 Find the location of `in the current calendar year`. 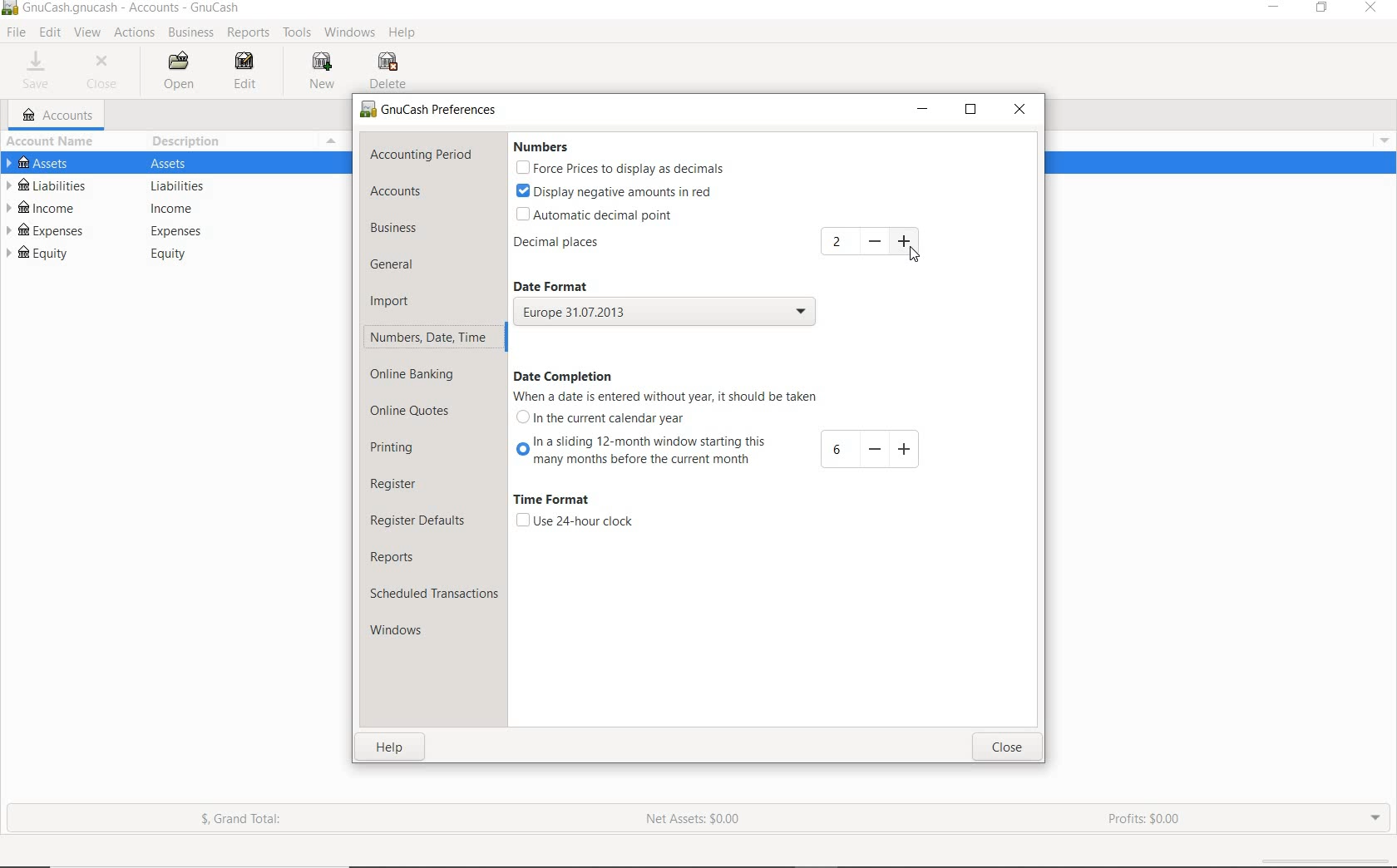

in the current calendar year is located at coordinates (609, 419).